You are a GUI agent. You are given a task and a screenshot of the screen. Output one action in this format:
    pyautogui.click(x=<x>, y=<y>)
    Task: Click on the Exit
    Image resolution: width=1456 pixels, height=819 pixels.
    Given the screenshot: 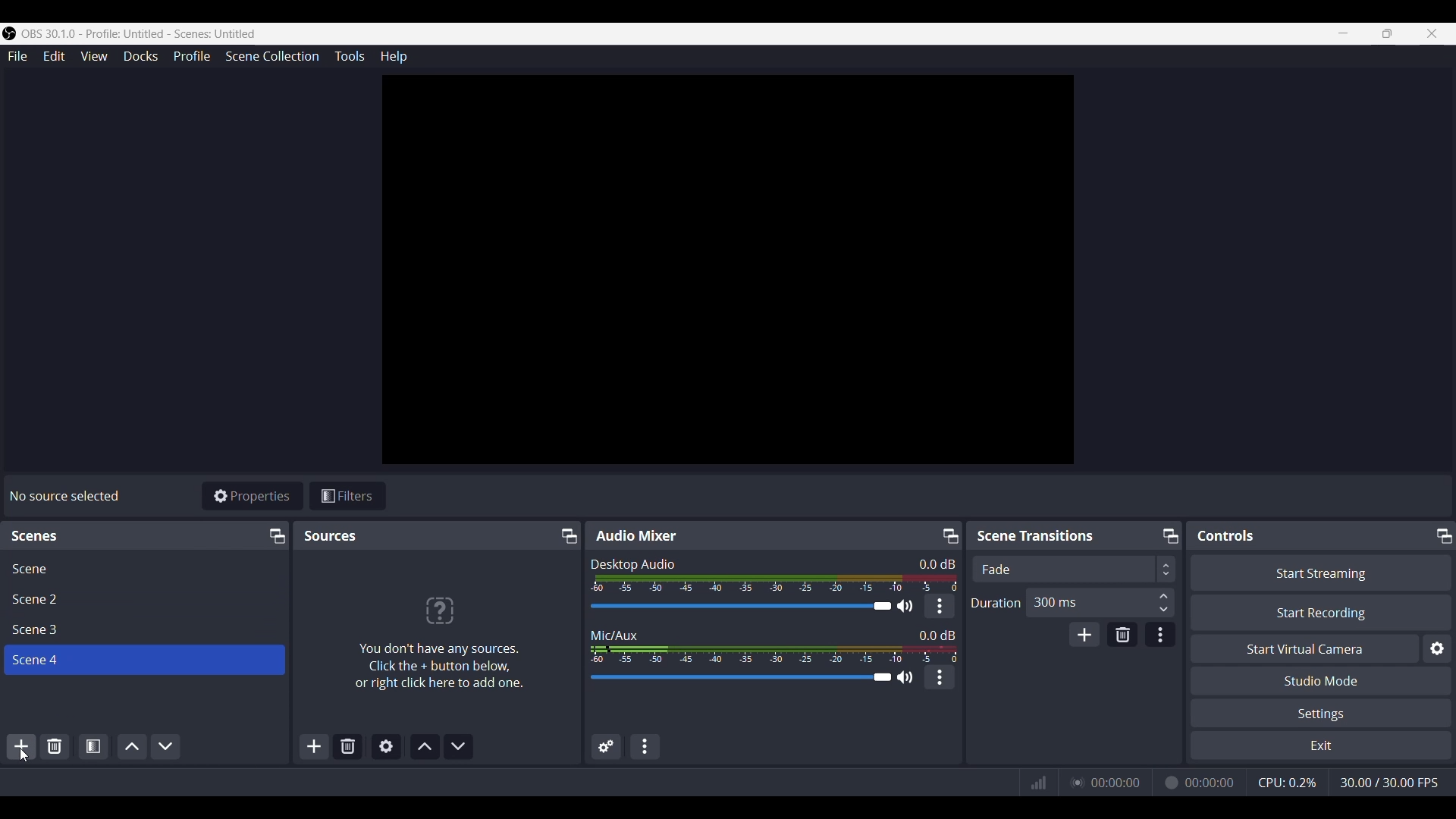 What is the action you would take?
    pyautogui.click(x=1321, y=745)
    